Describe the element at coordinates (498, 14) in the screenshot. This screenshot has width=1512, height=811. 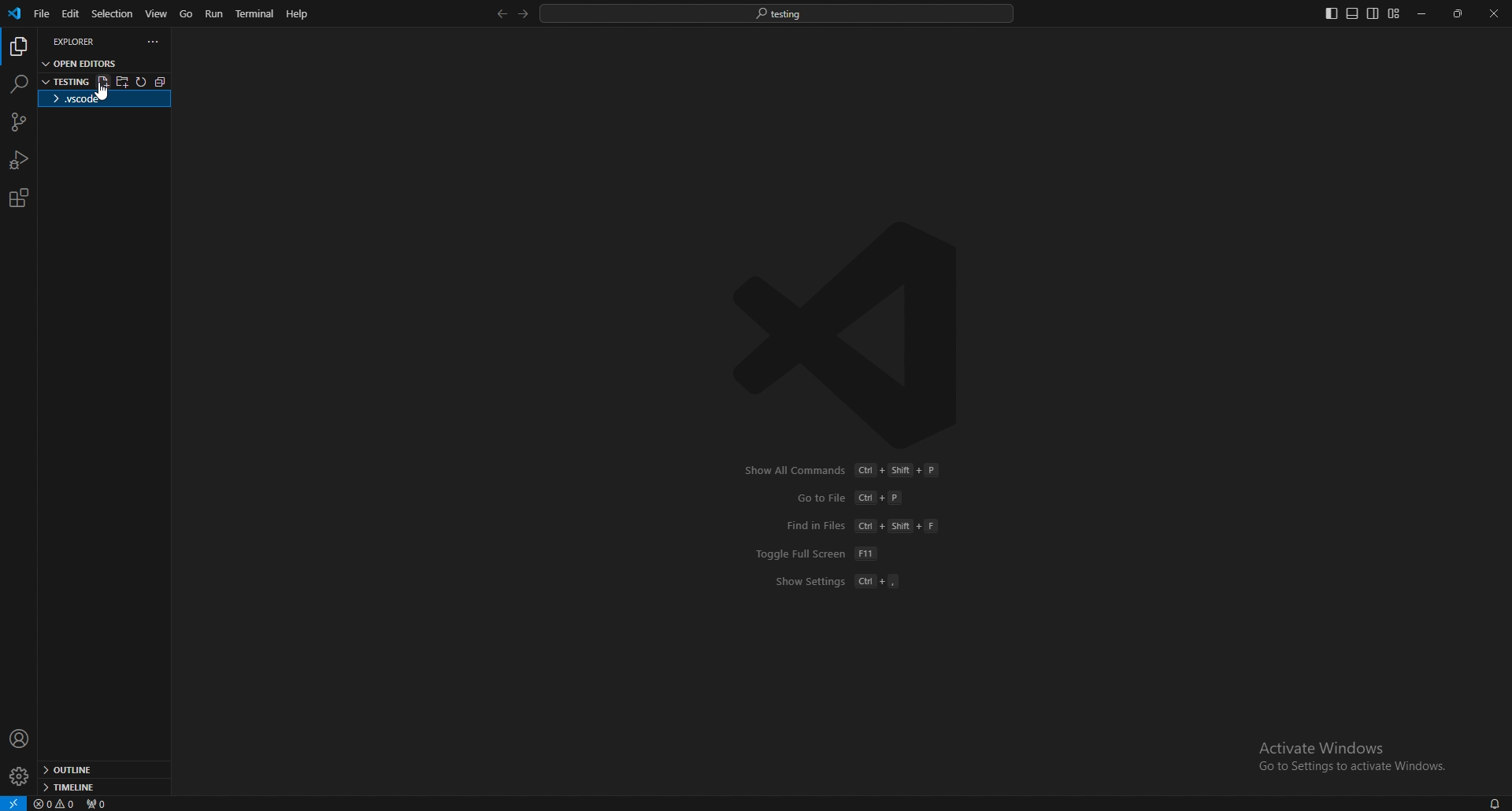
I see `back` at that location.